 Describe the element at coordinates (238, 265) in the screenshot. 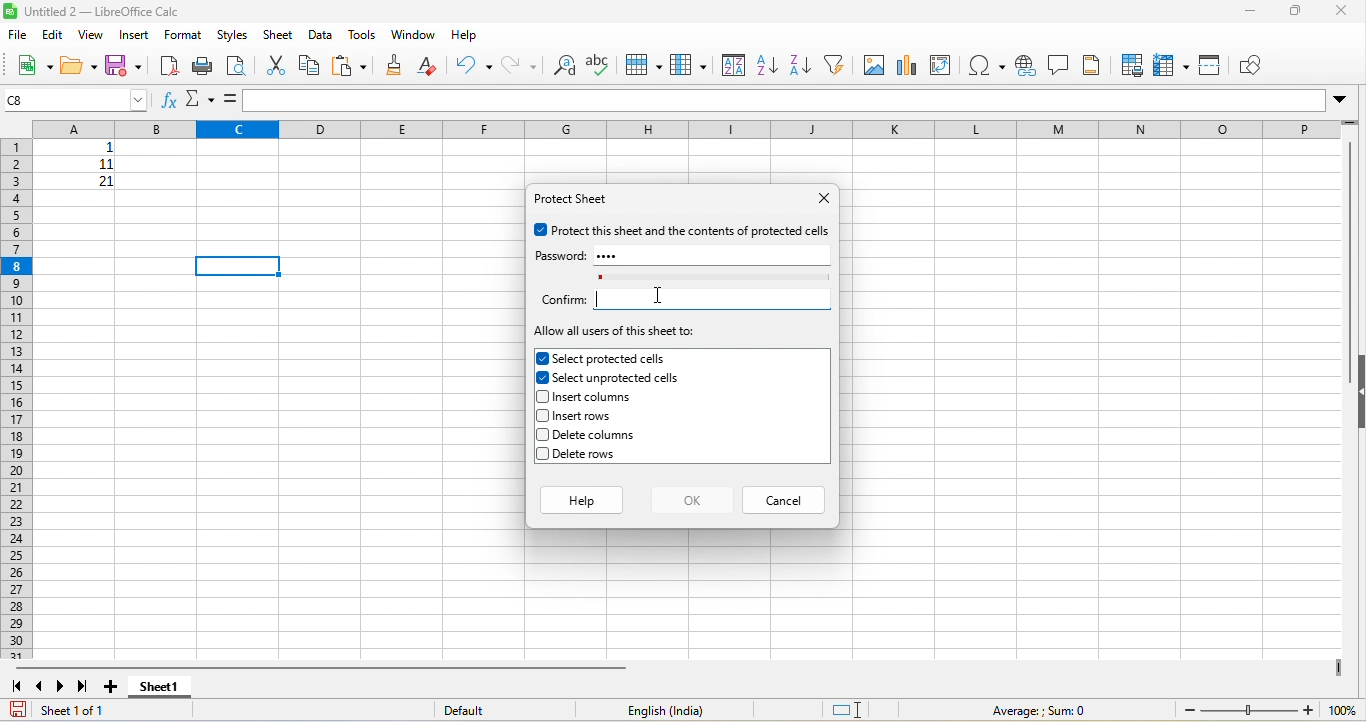

I see `selected cell` at that location.